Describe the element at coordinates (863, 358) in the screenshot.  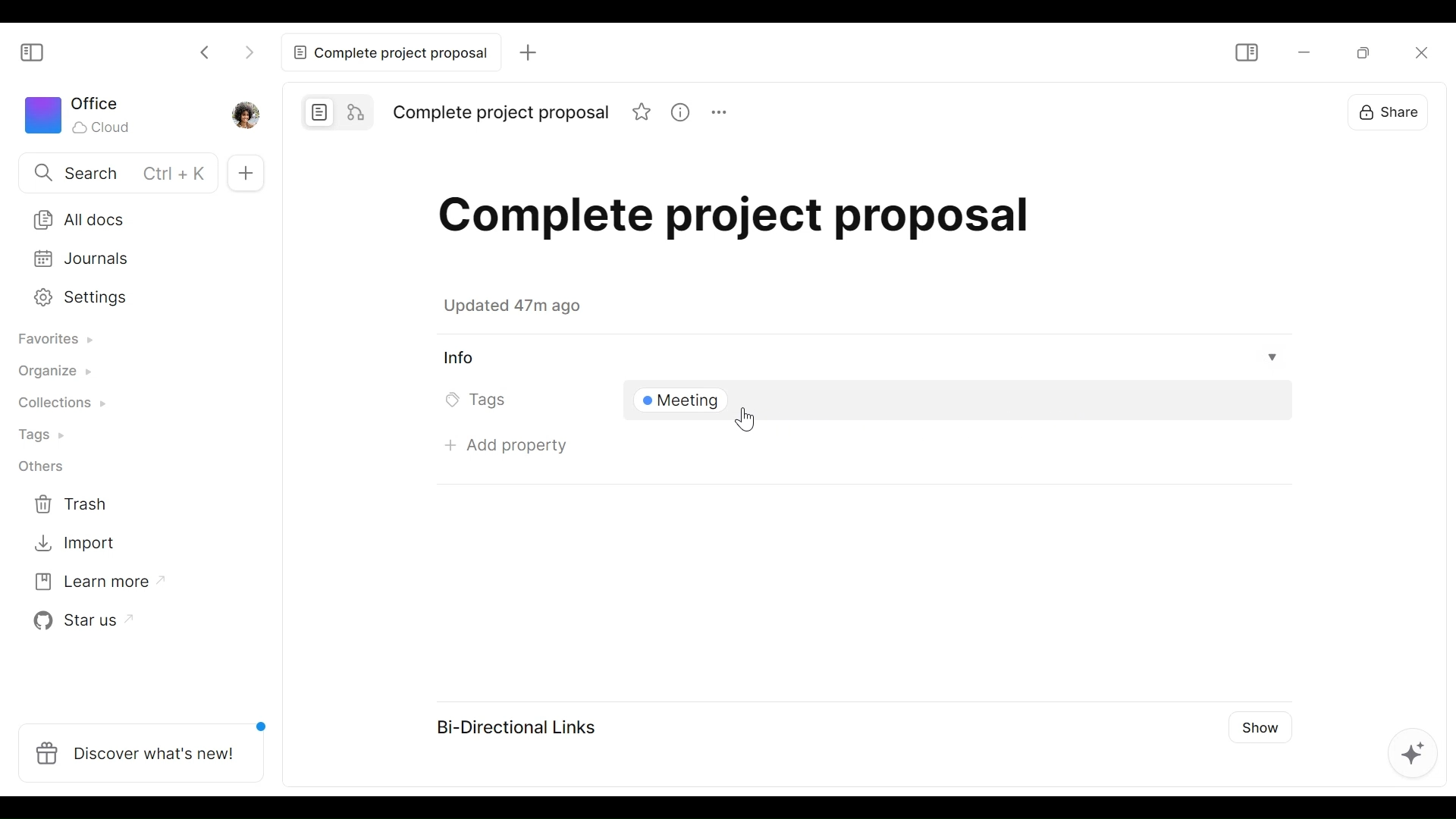
I see `View Info` at that location.